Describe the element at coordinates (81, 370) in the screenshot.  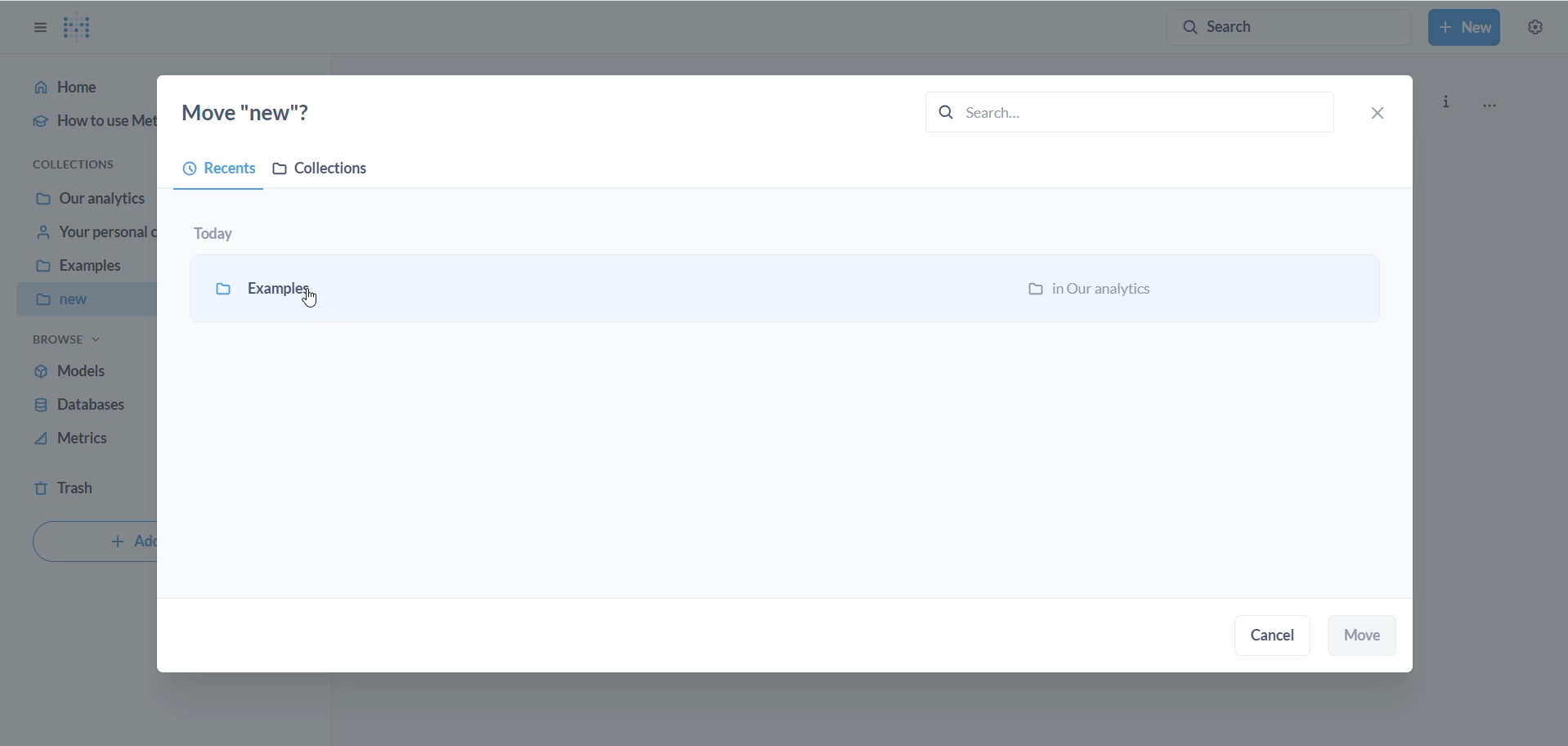
I see `models` at that location.